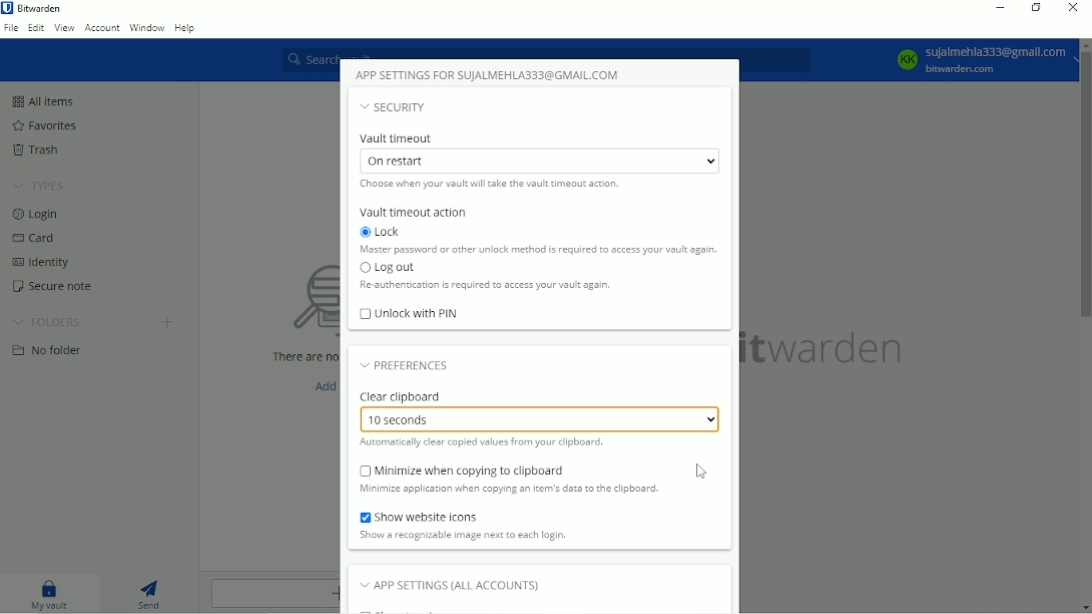  Describe the element at coordinates (40, 214) in the screenshot. I see `Login` at that location.